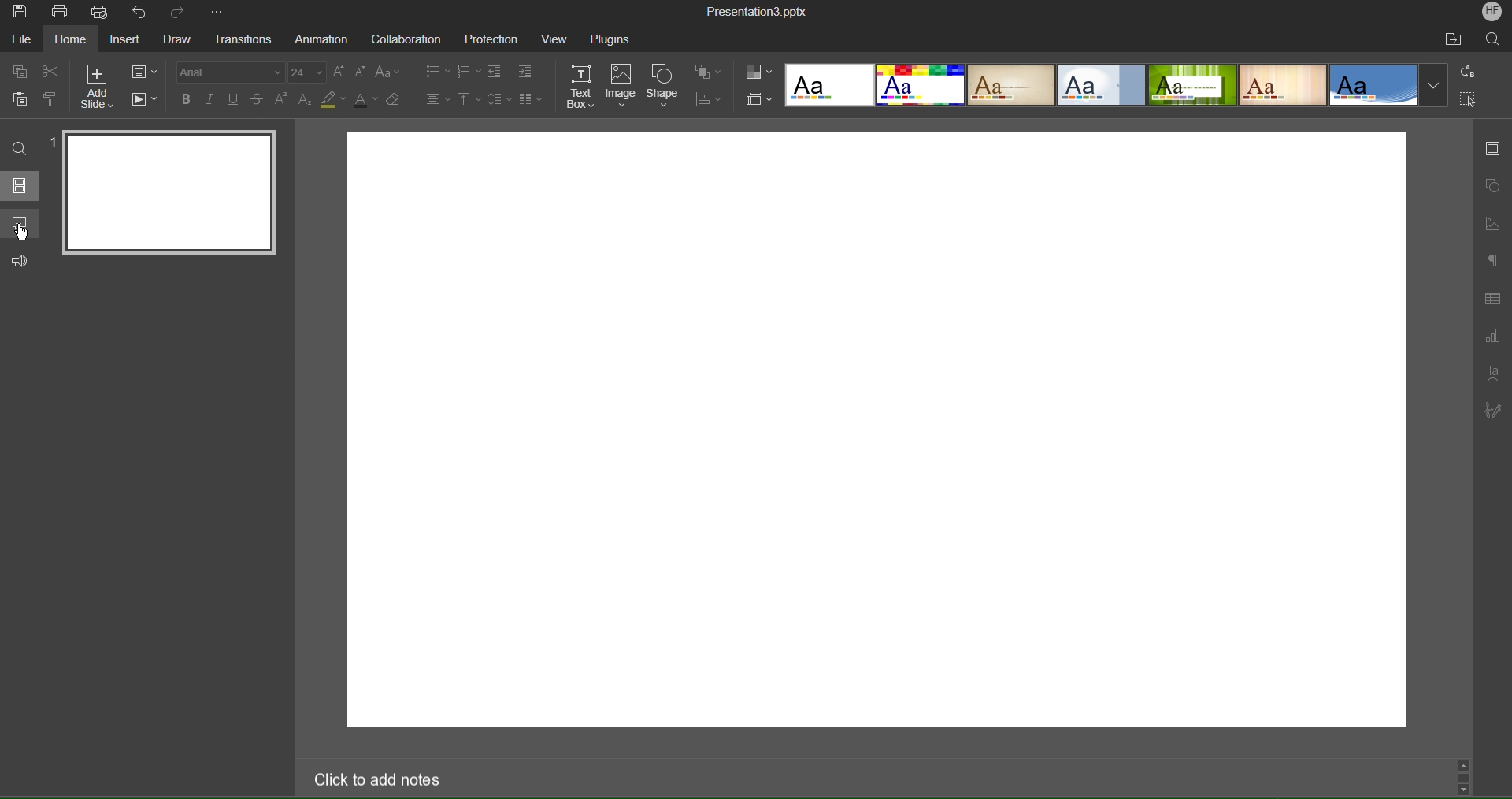 This screenshot has height=799, width=1512. I want to click on Replace, so click(1469, 72).